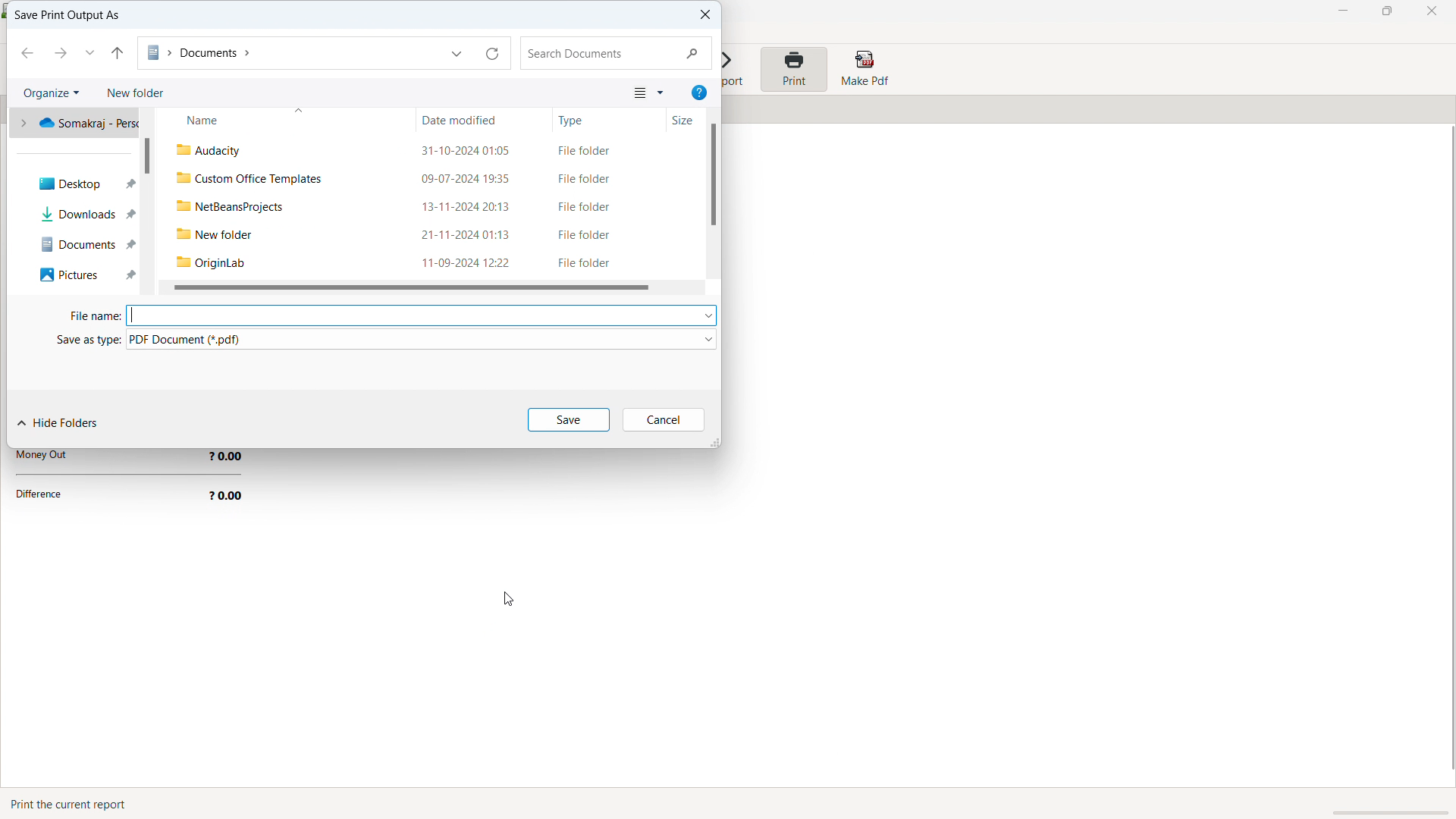 This screenshot has width=1456, height=819. Describe the element at coordinates (135, 93) in the screenshot. I see `new folder` at that location.